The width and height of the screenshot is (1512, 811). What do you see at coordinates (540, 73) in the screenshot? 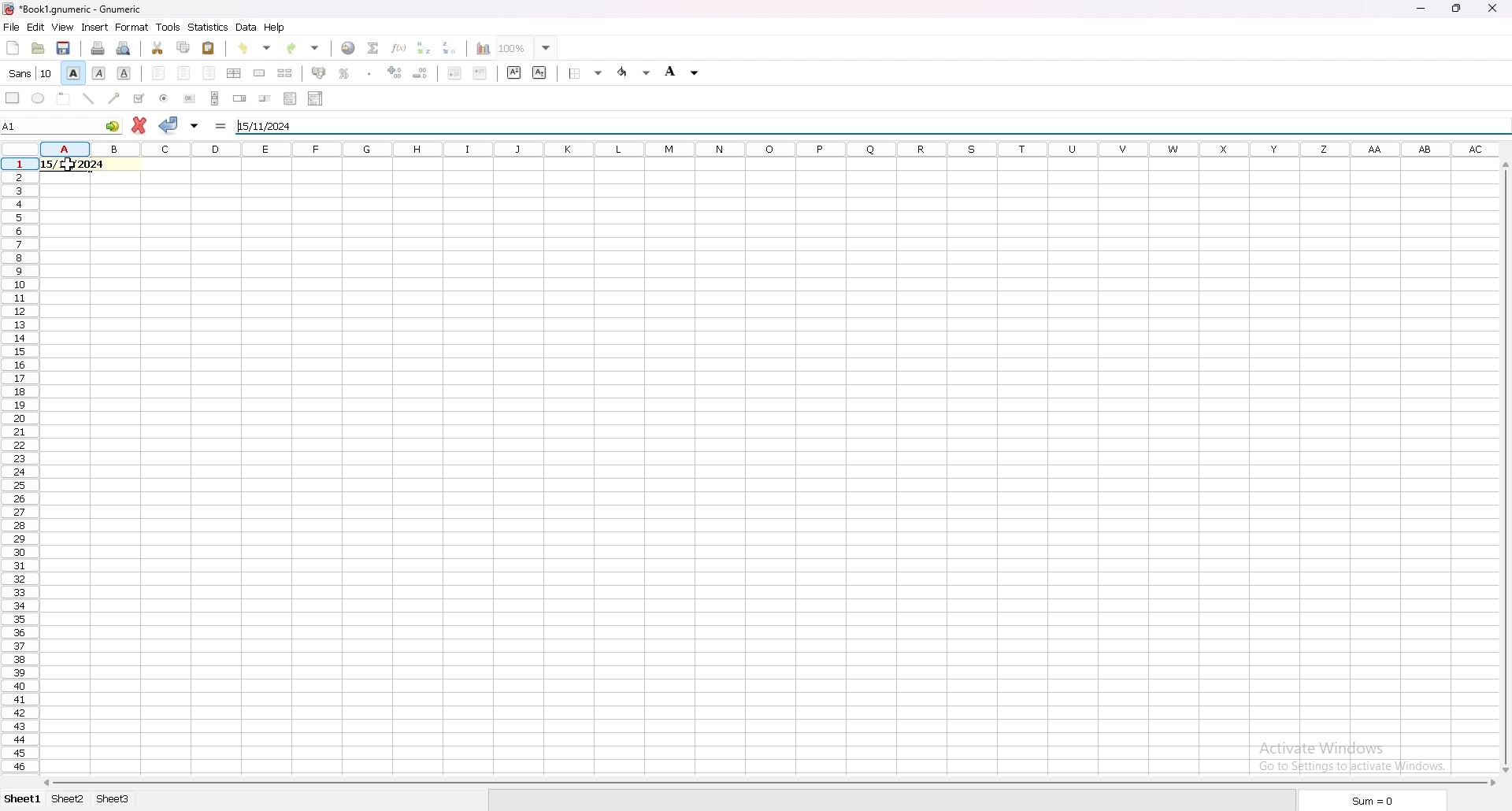
I see `subscript` at bounding box center [540, 73].